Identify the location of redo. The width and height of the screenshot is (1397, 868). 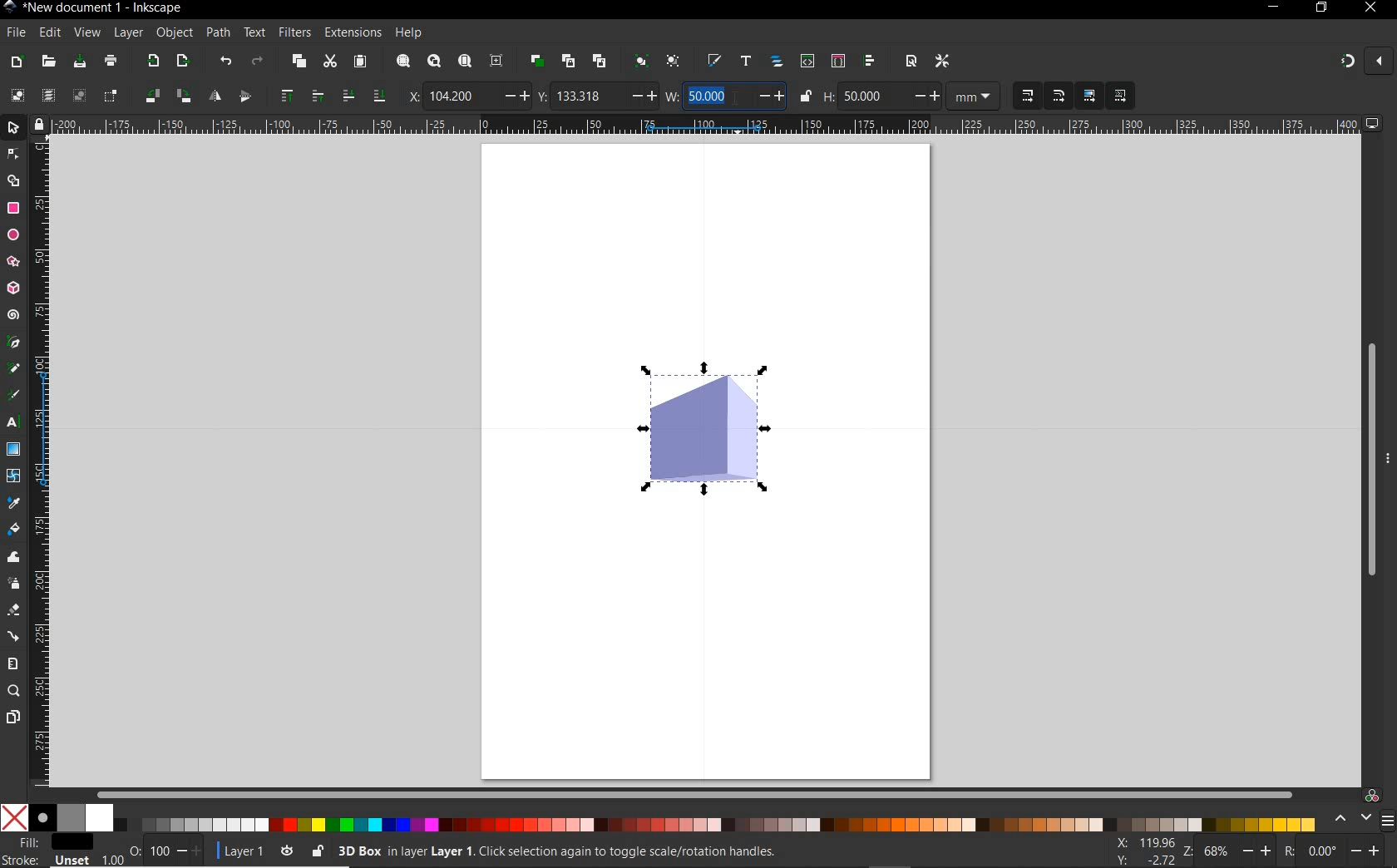
(258, 60).